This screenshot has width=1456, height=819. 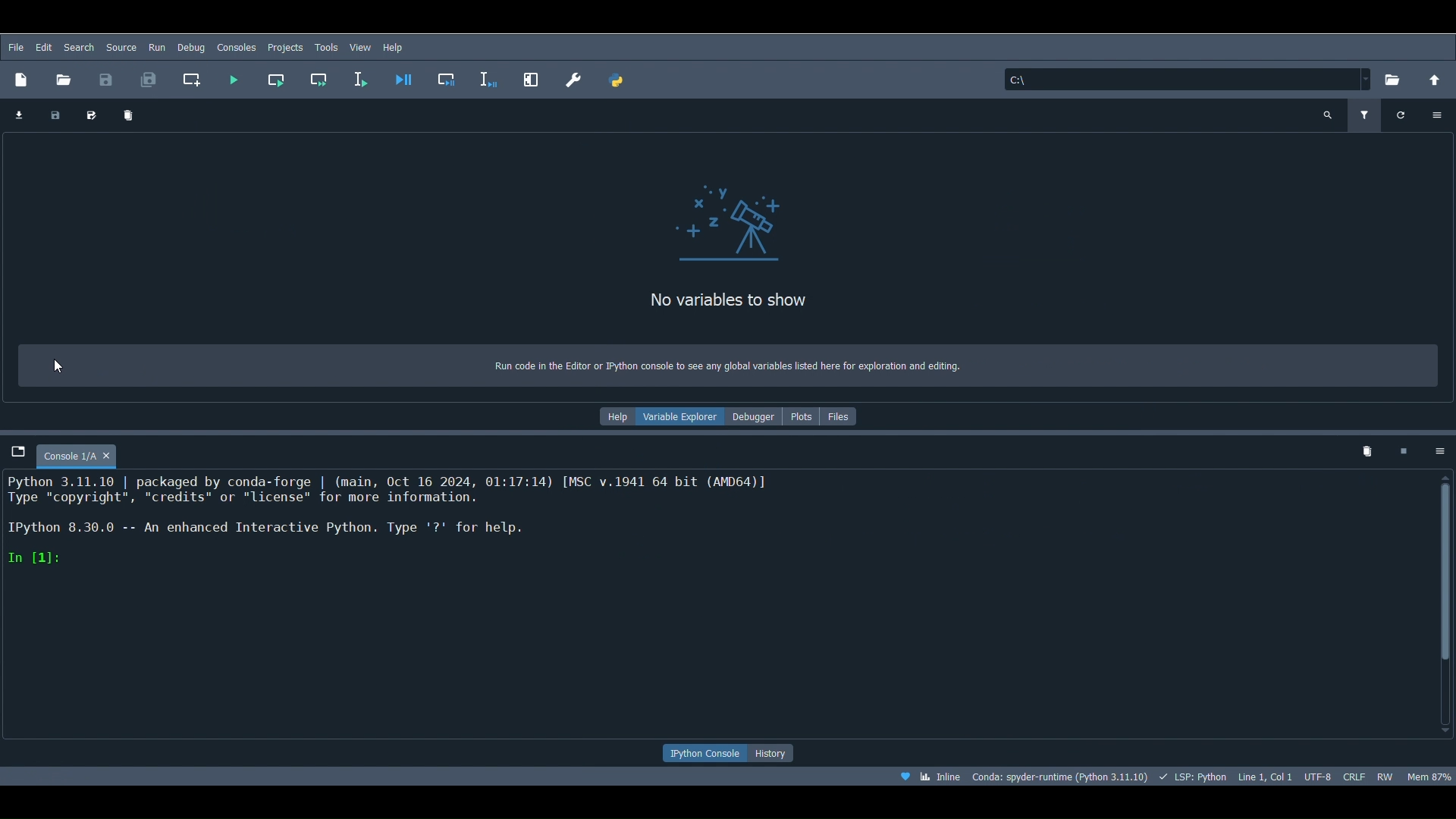 I want to click on Refresh variables (Ctrl + R), so click(x=1402, y=114).